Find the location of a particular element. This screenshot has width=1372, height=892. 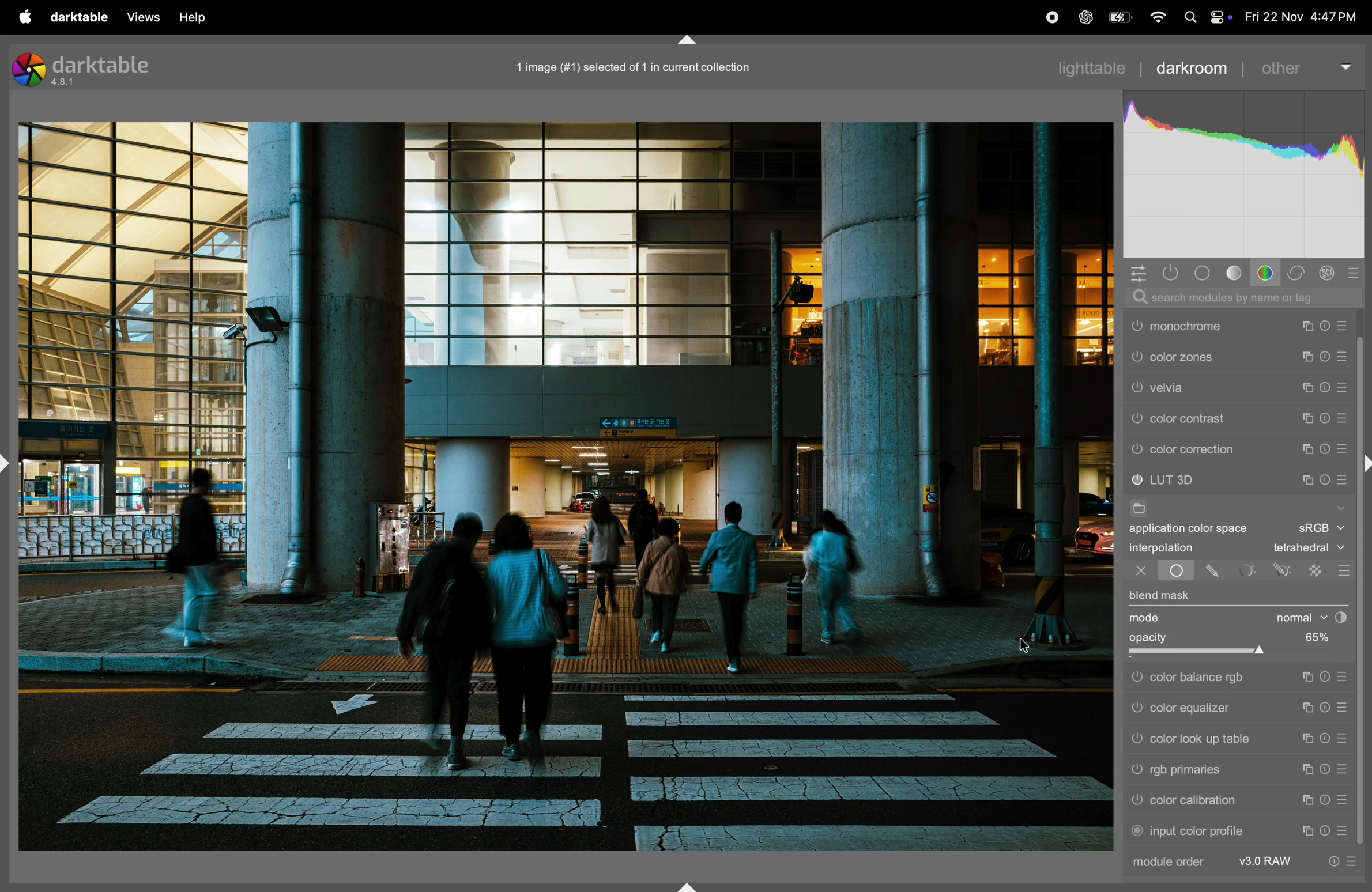

 is located at coordinates (1137, 739).